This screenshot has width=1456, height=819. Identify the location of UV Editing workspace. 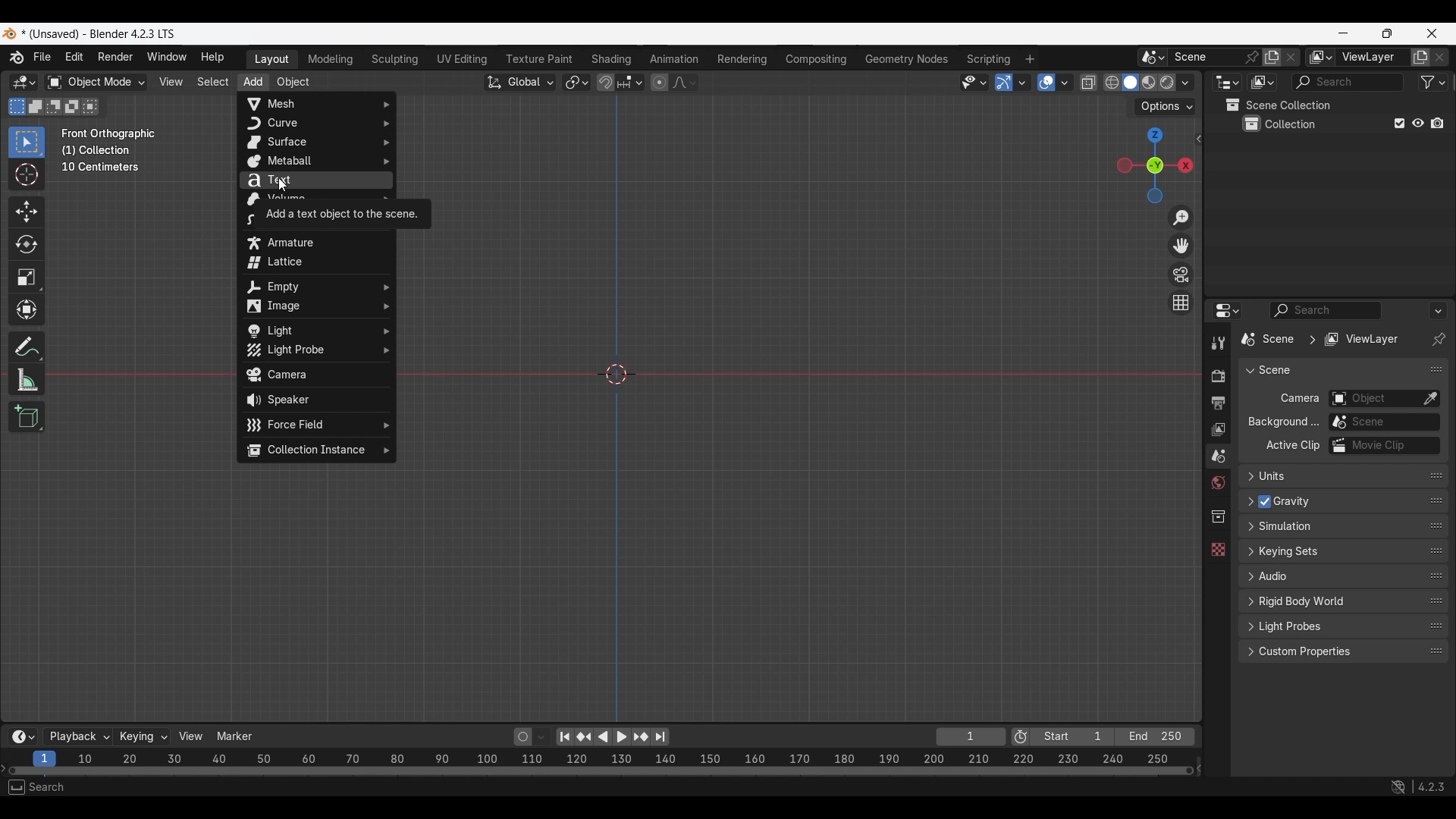
(463, 59).